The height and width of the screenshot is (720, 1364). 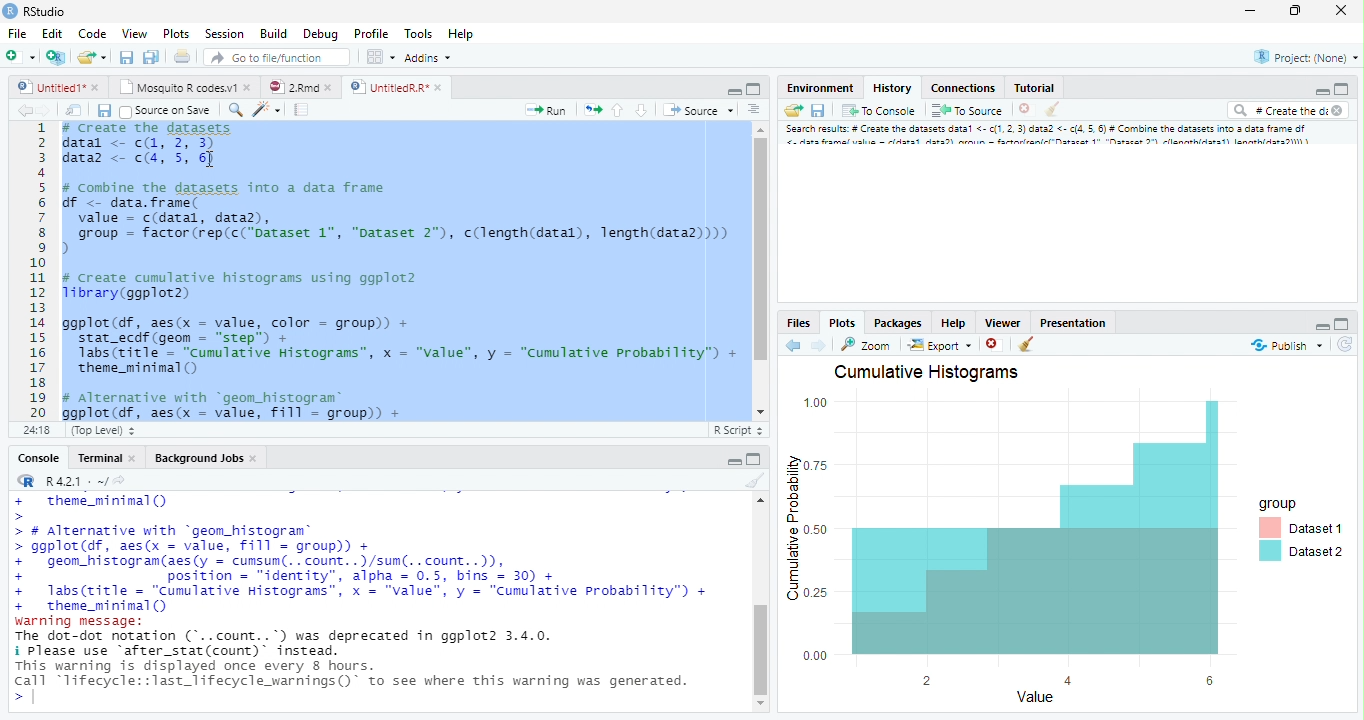 I want to click on Delete , so click(x=992, y=342).